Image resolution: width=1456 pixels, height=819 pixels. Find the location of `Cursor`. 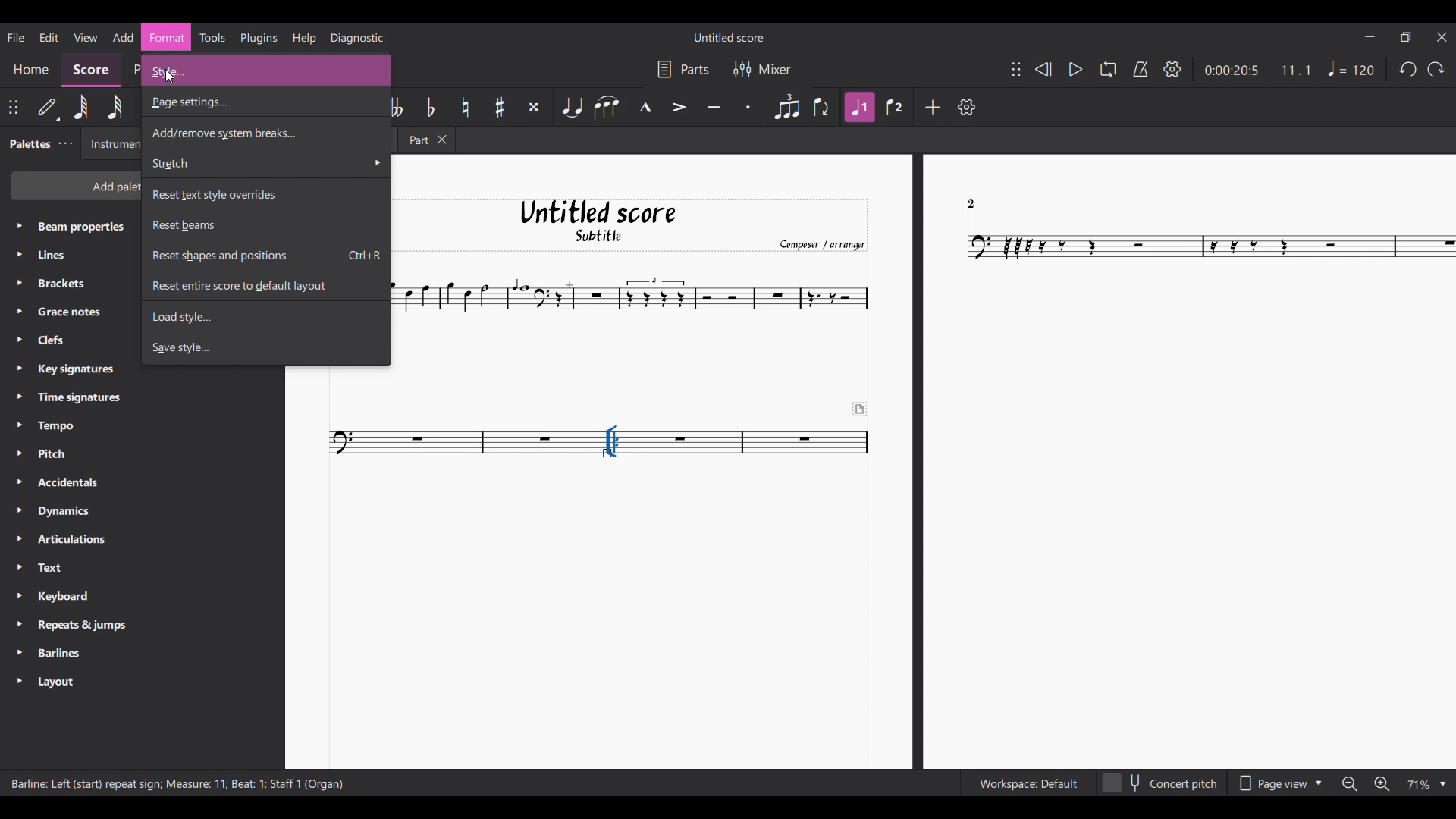

Cursor is located at coordinates (174, 78).